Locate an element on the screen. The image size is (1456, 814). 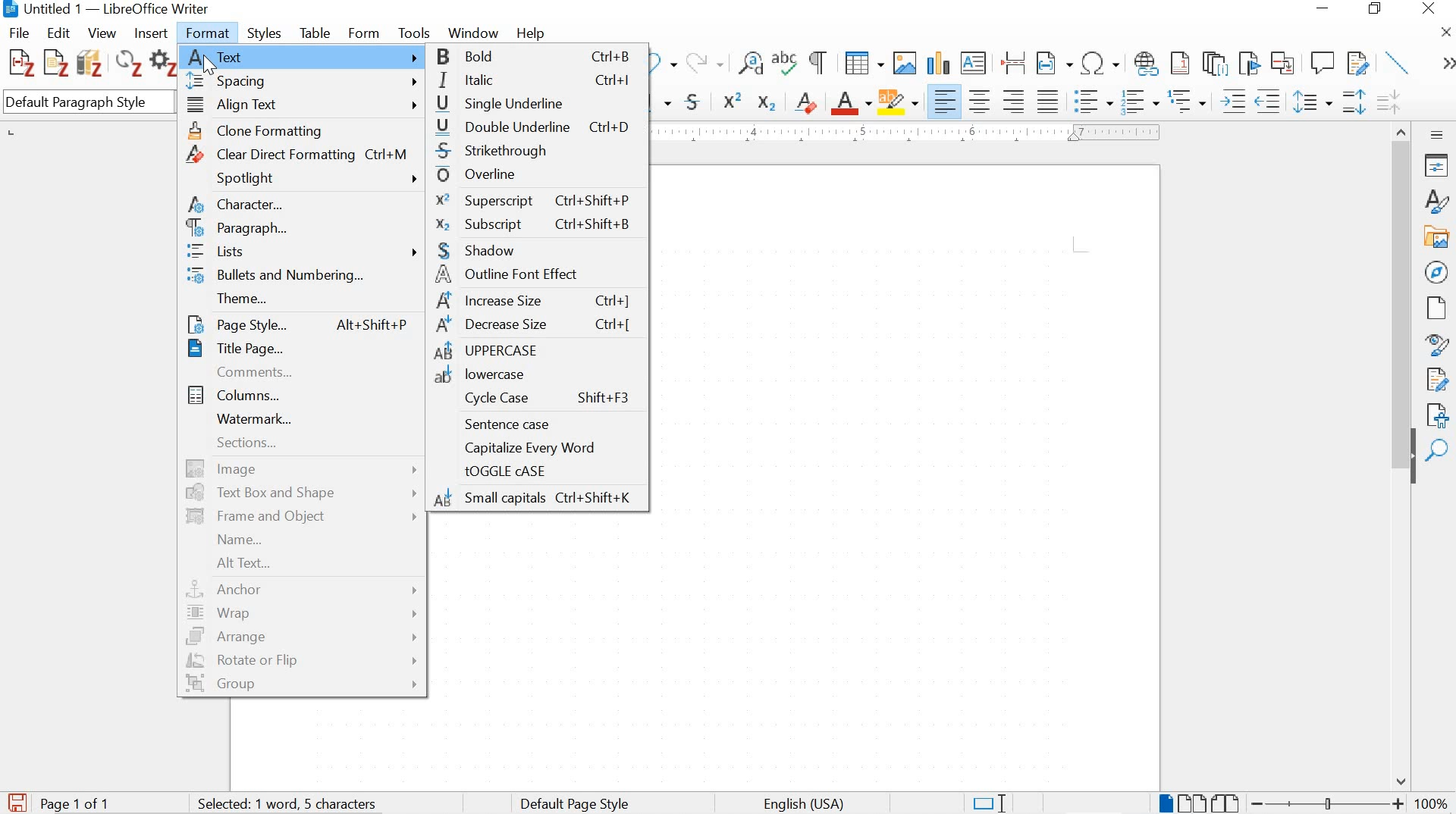
sentence case is located at coordinates (535, 424).